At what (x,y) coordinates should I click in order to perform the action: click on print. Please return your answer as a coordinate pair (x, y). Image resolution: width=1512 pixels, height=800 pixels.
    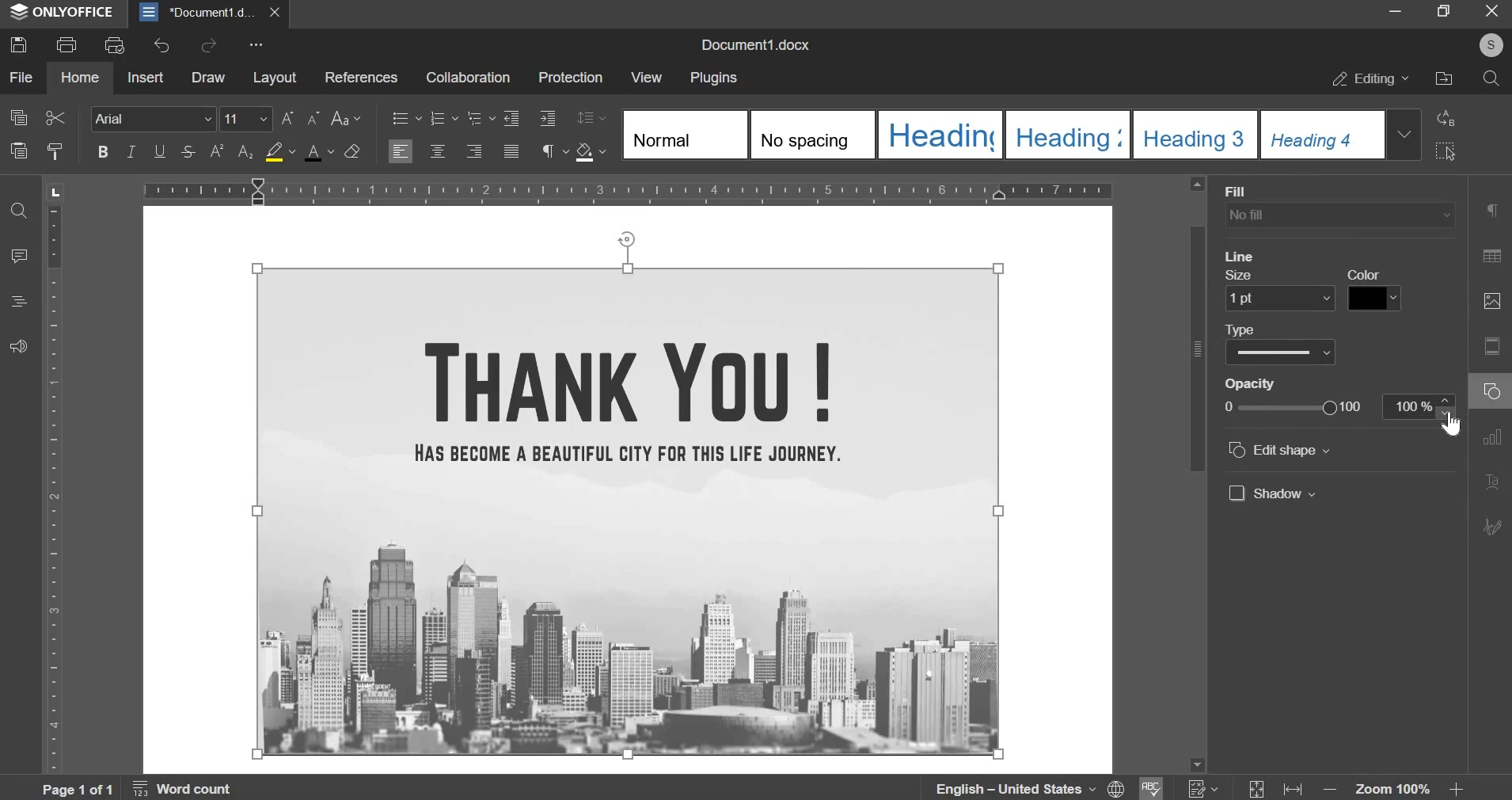
    Looking at the image, I should click on (66, 44).